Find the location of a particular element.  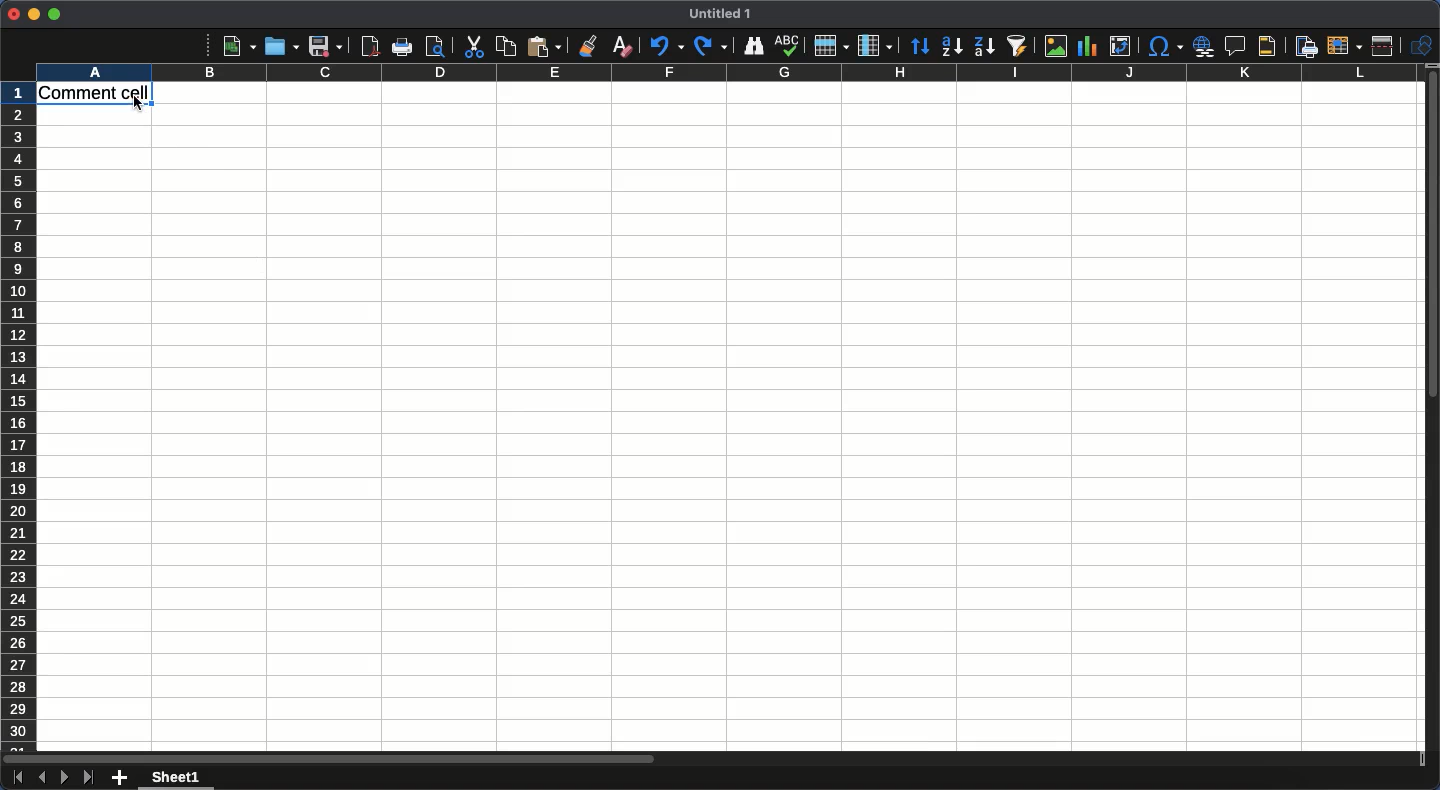

Row is located at coordinates (830, 46).